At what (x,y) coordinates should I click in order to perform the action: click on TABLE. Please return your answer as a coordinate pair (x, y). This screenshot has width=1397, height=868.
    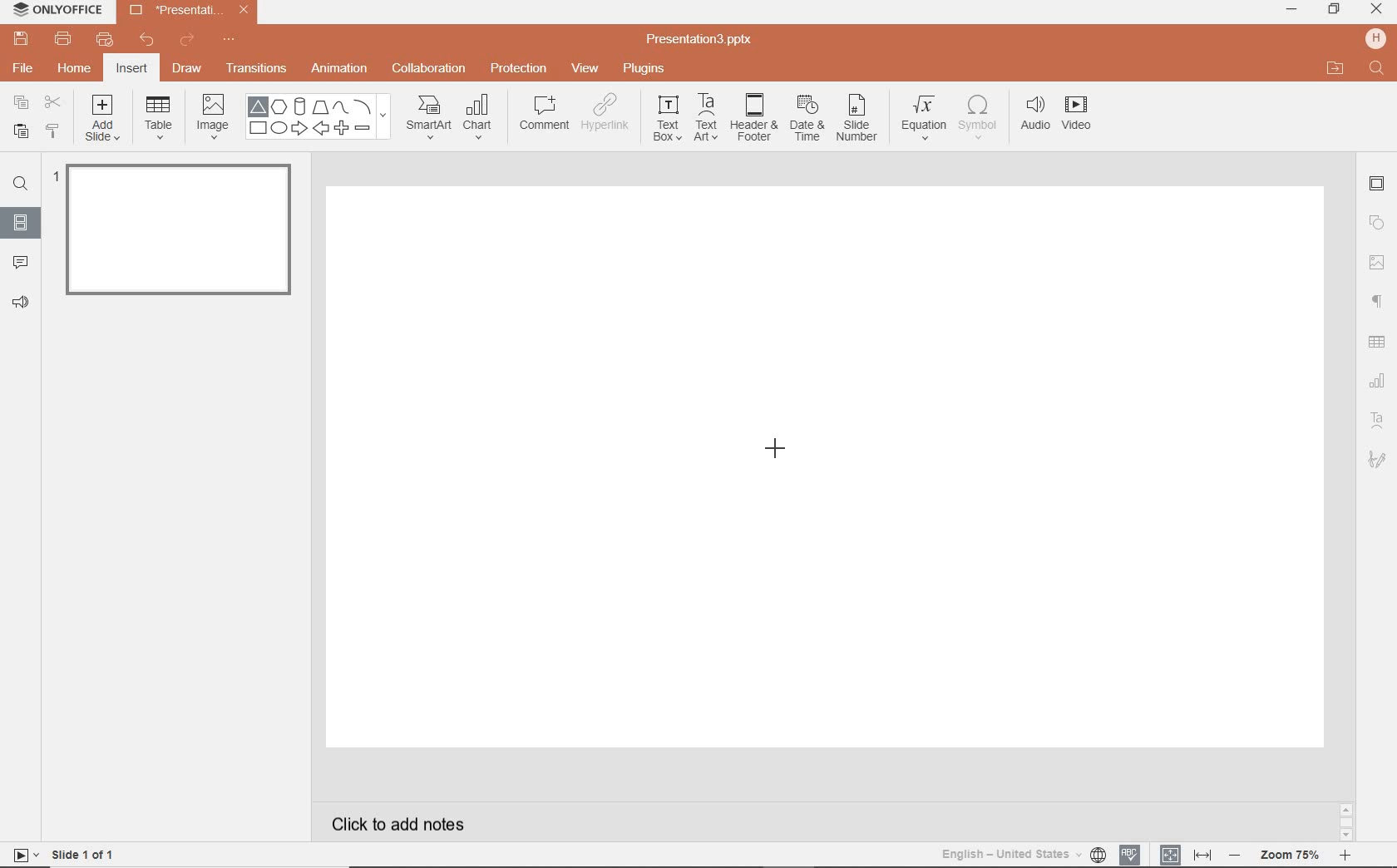
    Looking at the image, I should click on (159, 118).